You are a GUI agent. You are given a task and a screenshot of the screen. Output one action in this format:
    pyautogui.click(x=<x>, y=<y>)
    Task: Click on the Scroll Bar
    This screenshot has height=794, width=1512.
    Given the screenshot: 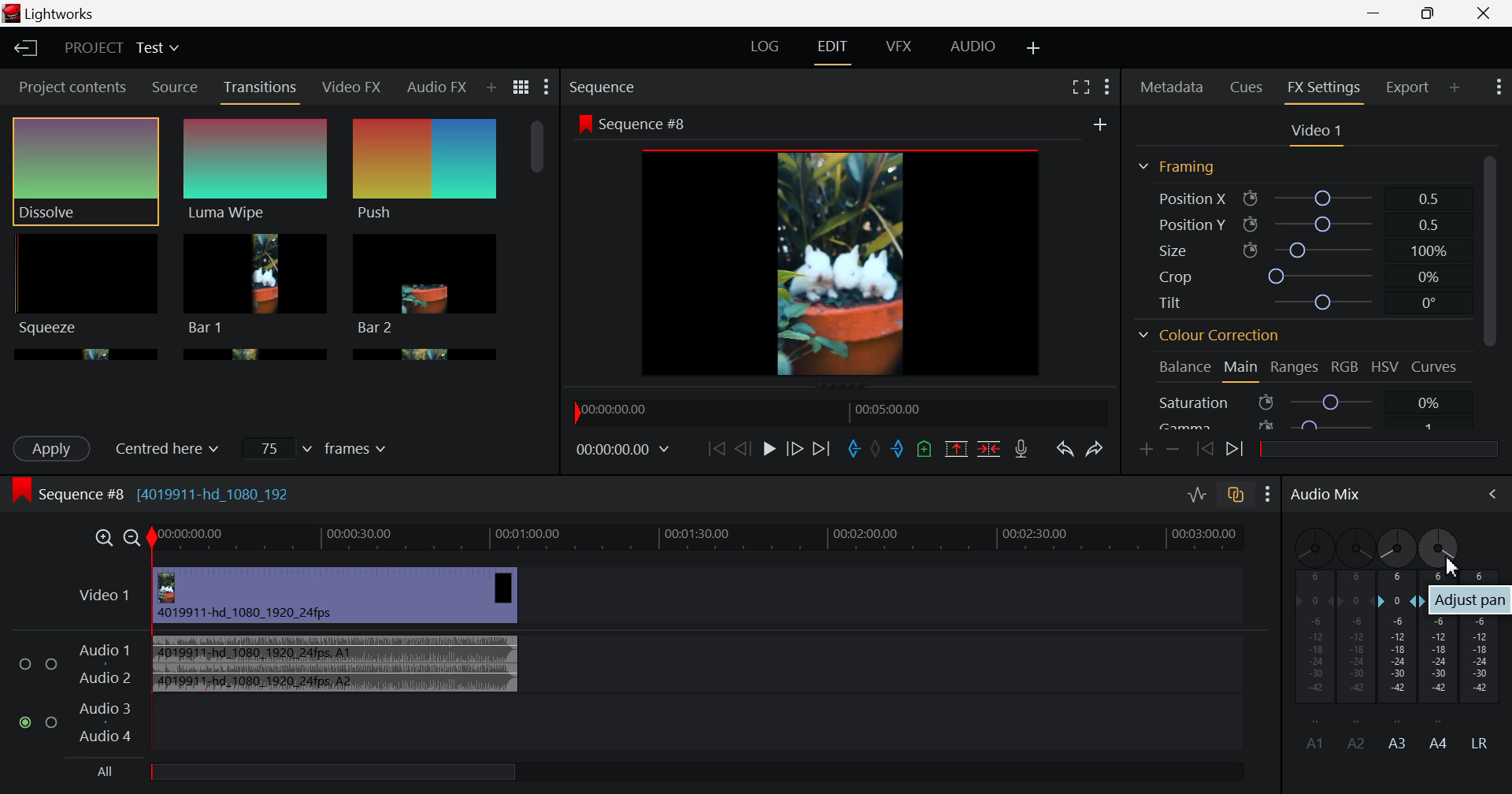 What is the action you would take?
    pyautogui.click(x=1493, y=291)
    